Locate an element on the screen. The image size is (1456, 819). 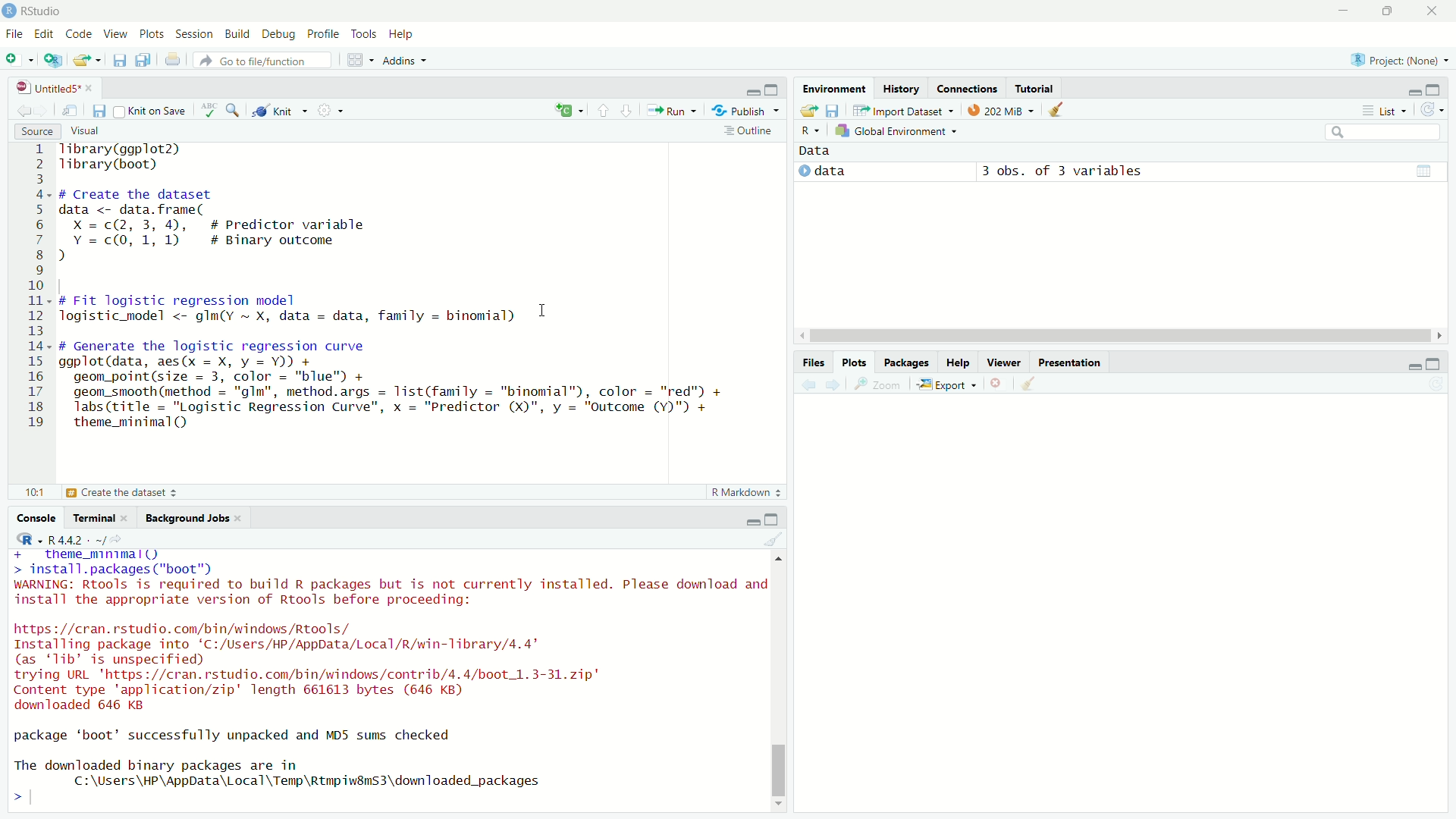
Knit on Save is located at coordinates (152, 111).